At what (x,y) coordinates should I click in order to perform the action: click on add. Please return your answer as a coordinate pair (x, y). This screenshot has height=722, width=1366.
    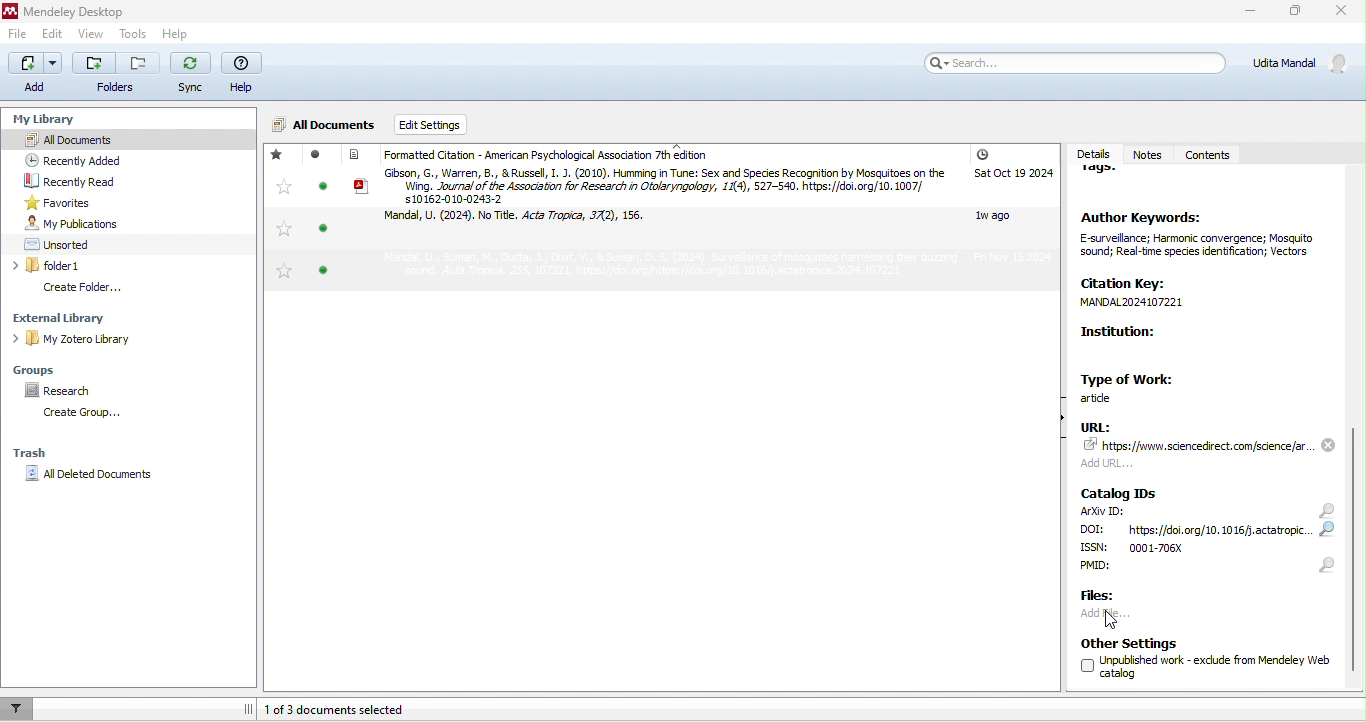
    Looking at the image, I should click on (35, 72).